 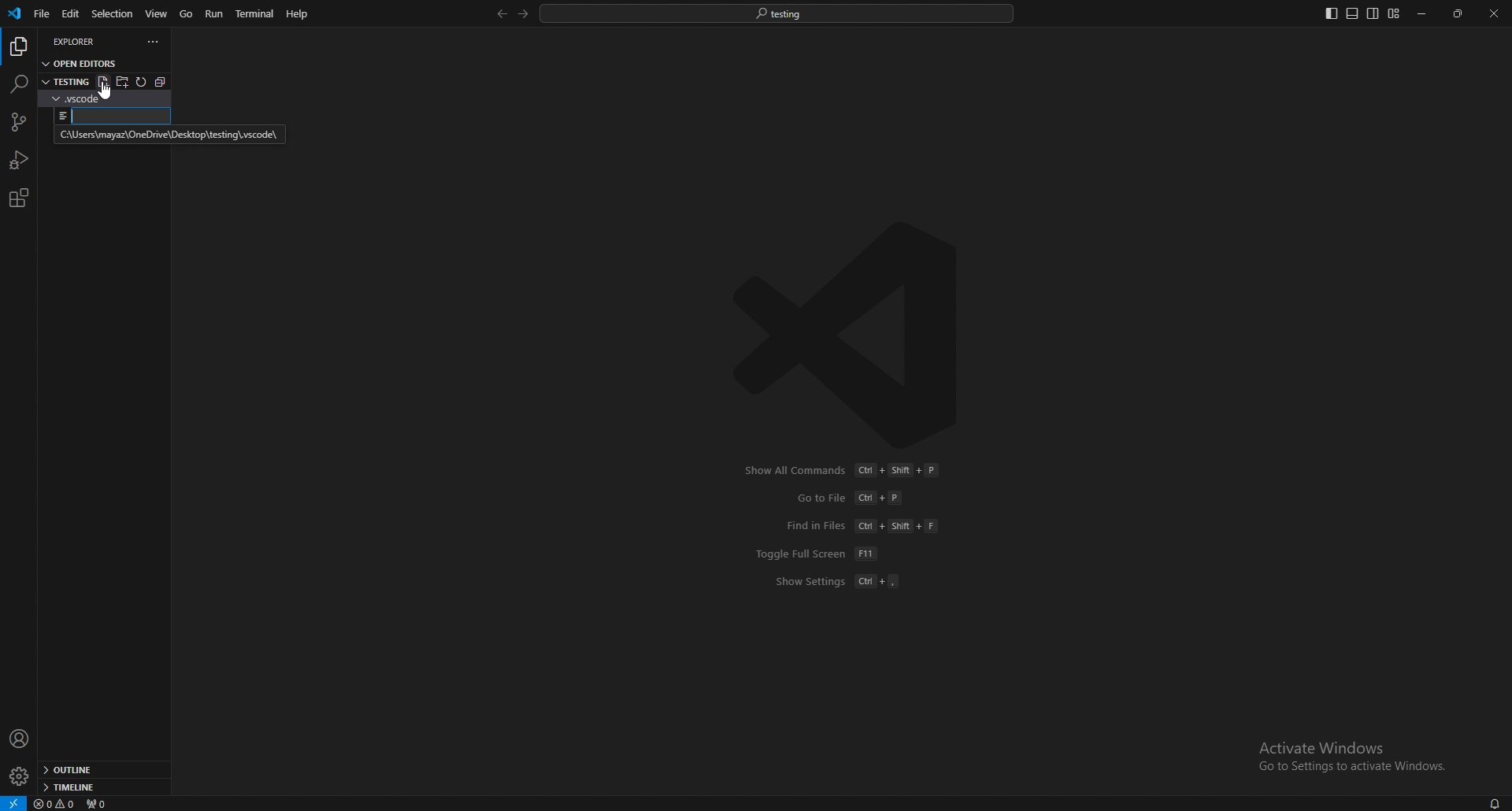 What do you see at coordinates (143, 82) in the screenshot?
I see `refresh` at bounding box center [143, 82].